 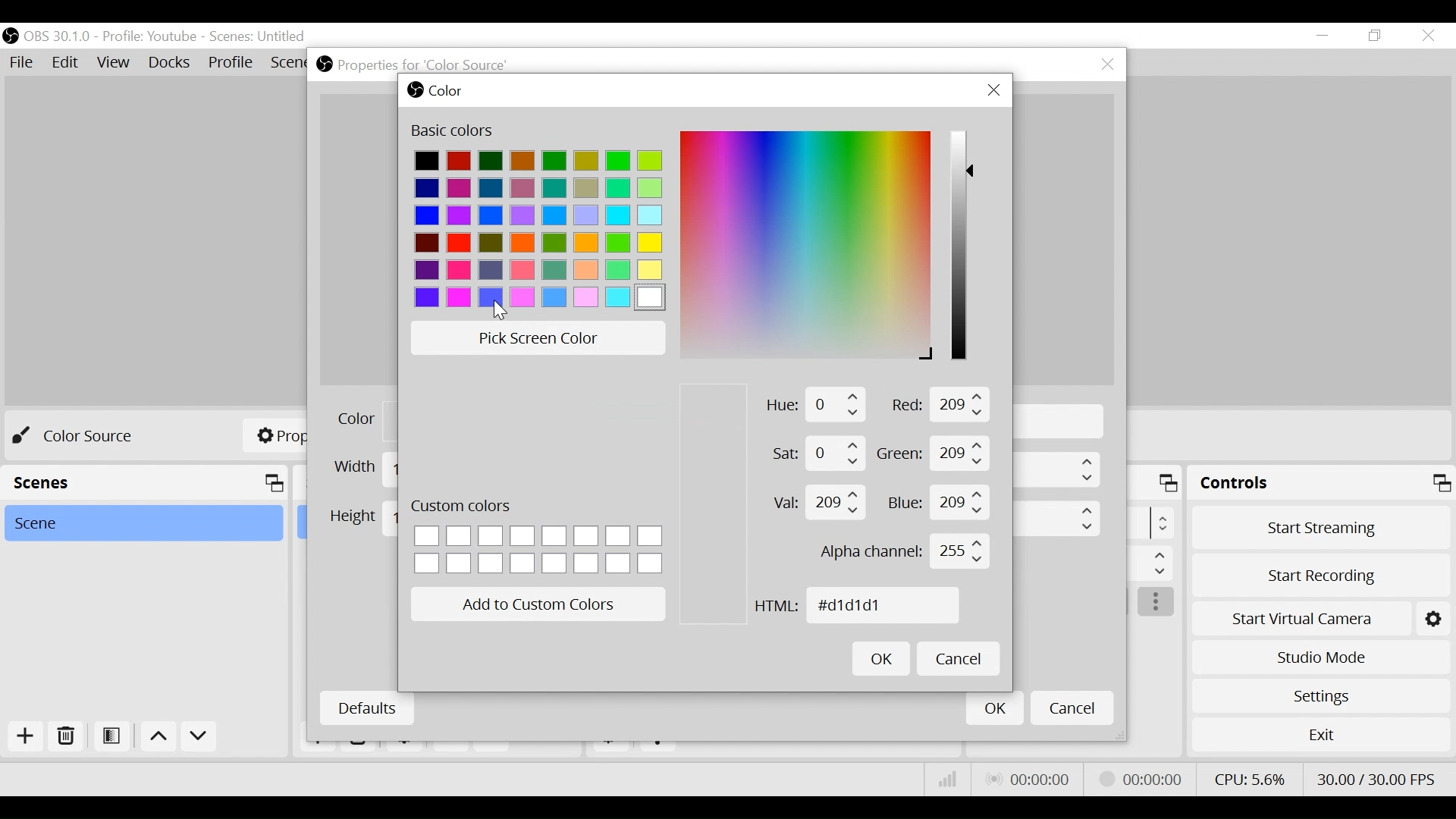 What do you see at coordinates (1320, 657) in the screenshot?
I see `Studio Mode` at bounding box center [1320, 657].